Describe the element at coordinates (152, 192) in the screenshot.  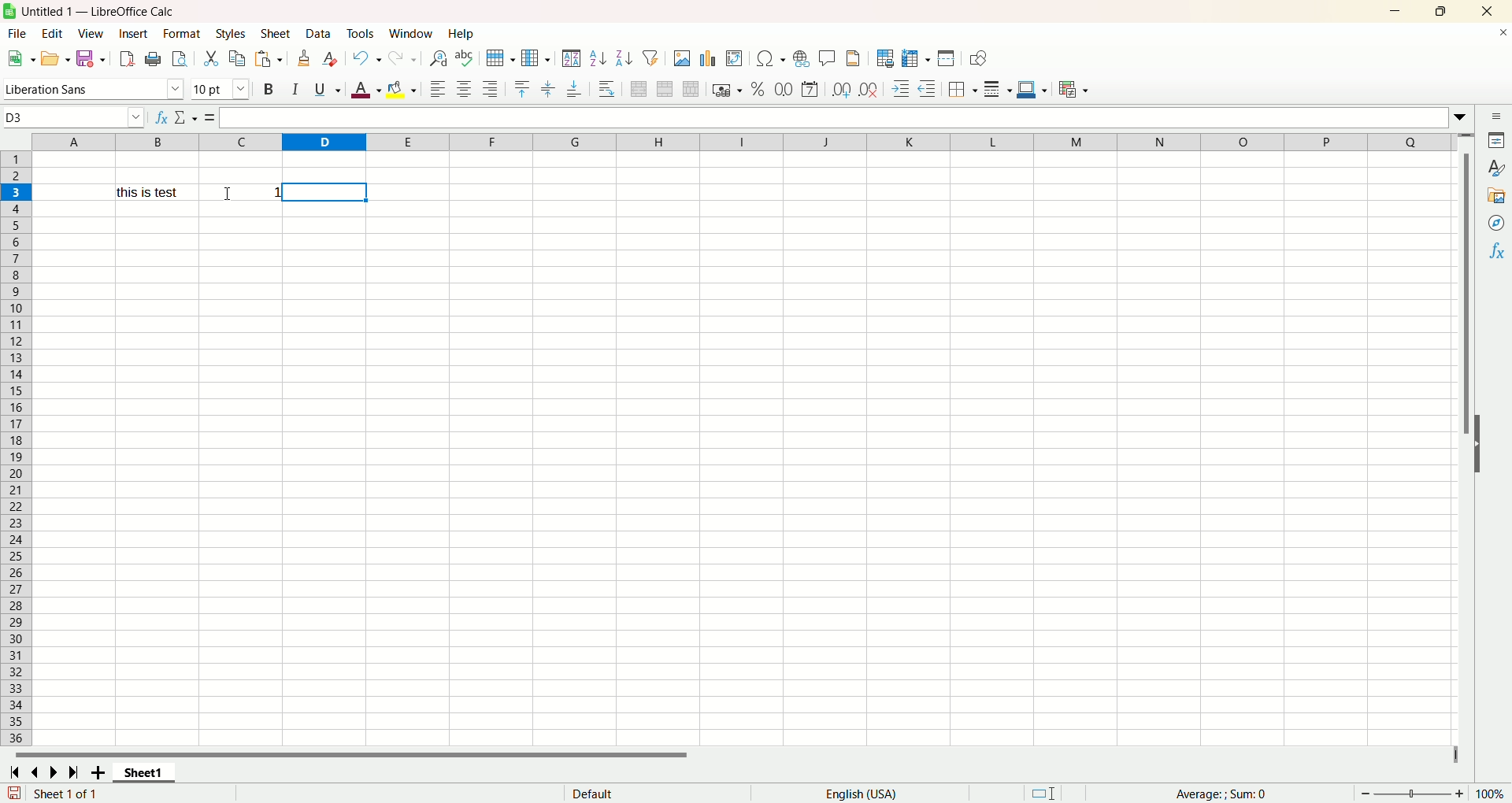
I see `this is test` at that location.